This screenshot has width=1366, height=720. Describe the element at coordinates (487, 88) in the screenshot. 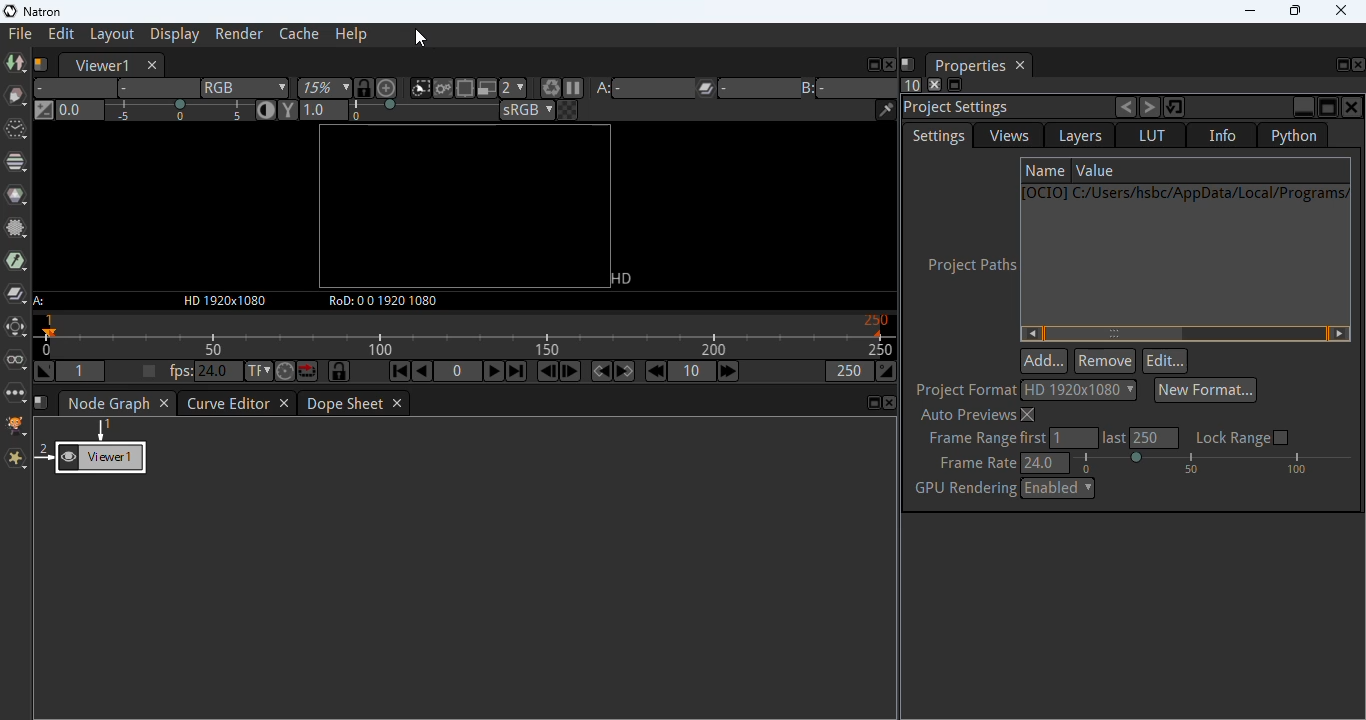

I see `proxy mode` at that location.